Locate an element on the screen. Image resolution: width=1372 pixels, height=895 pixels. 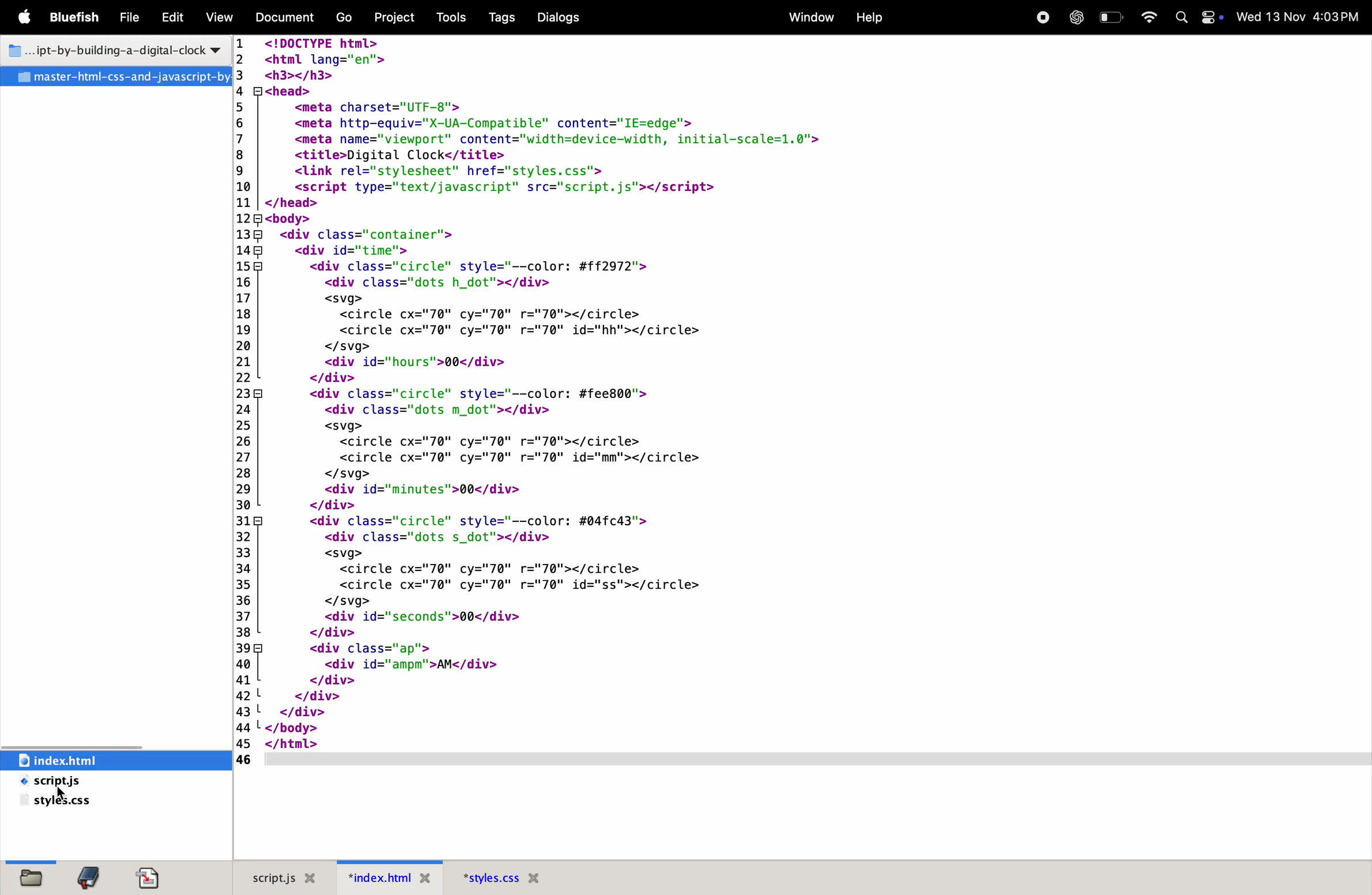
tags is located at coordinates (499, 18).